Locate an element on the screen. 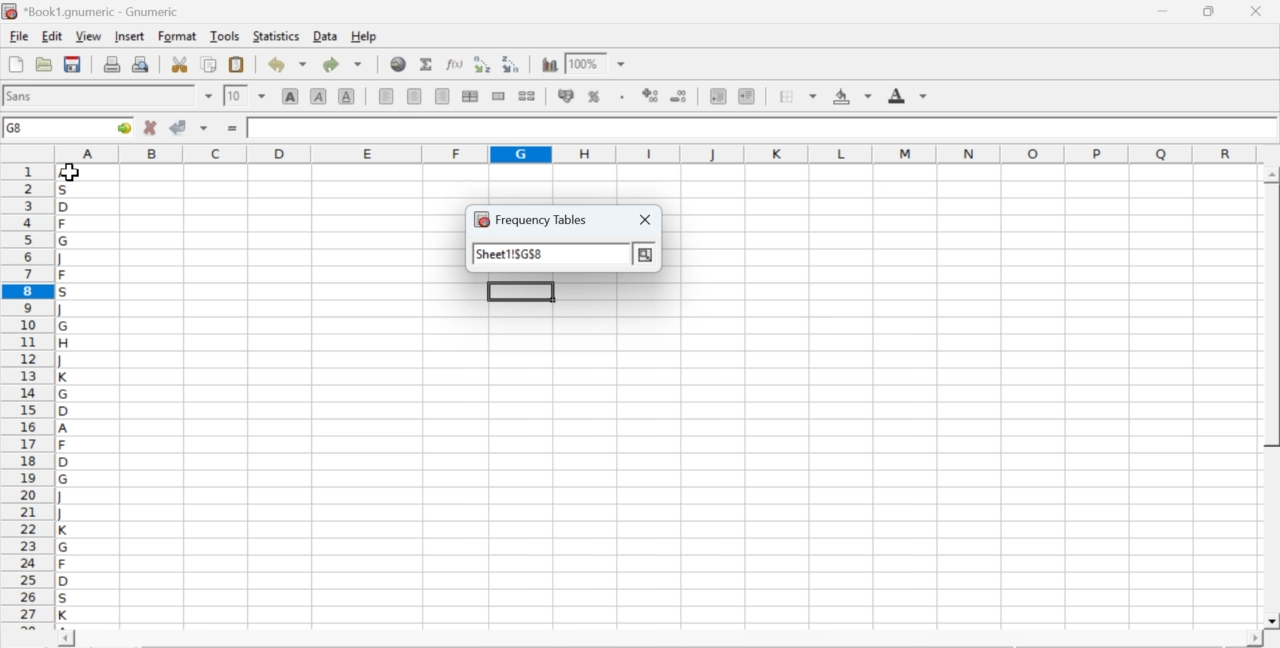  drop down is located at coordinates (210, 96).